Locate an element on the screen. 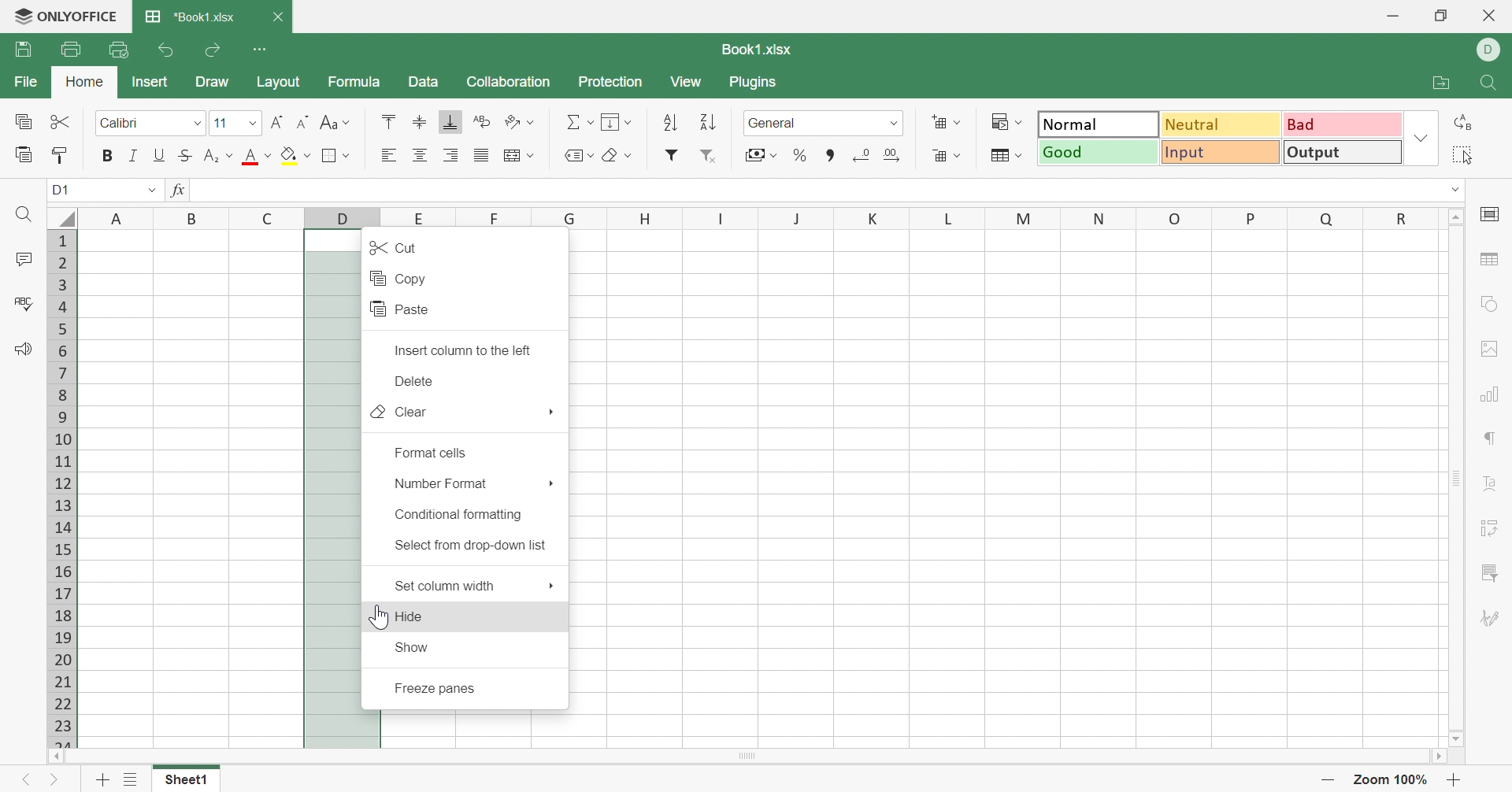 The image size is (1512, 792). Italic is located at coordinates (135, 154).